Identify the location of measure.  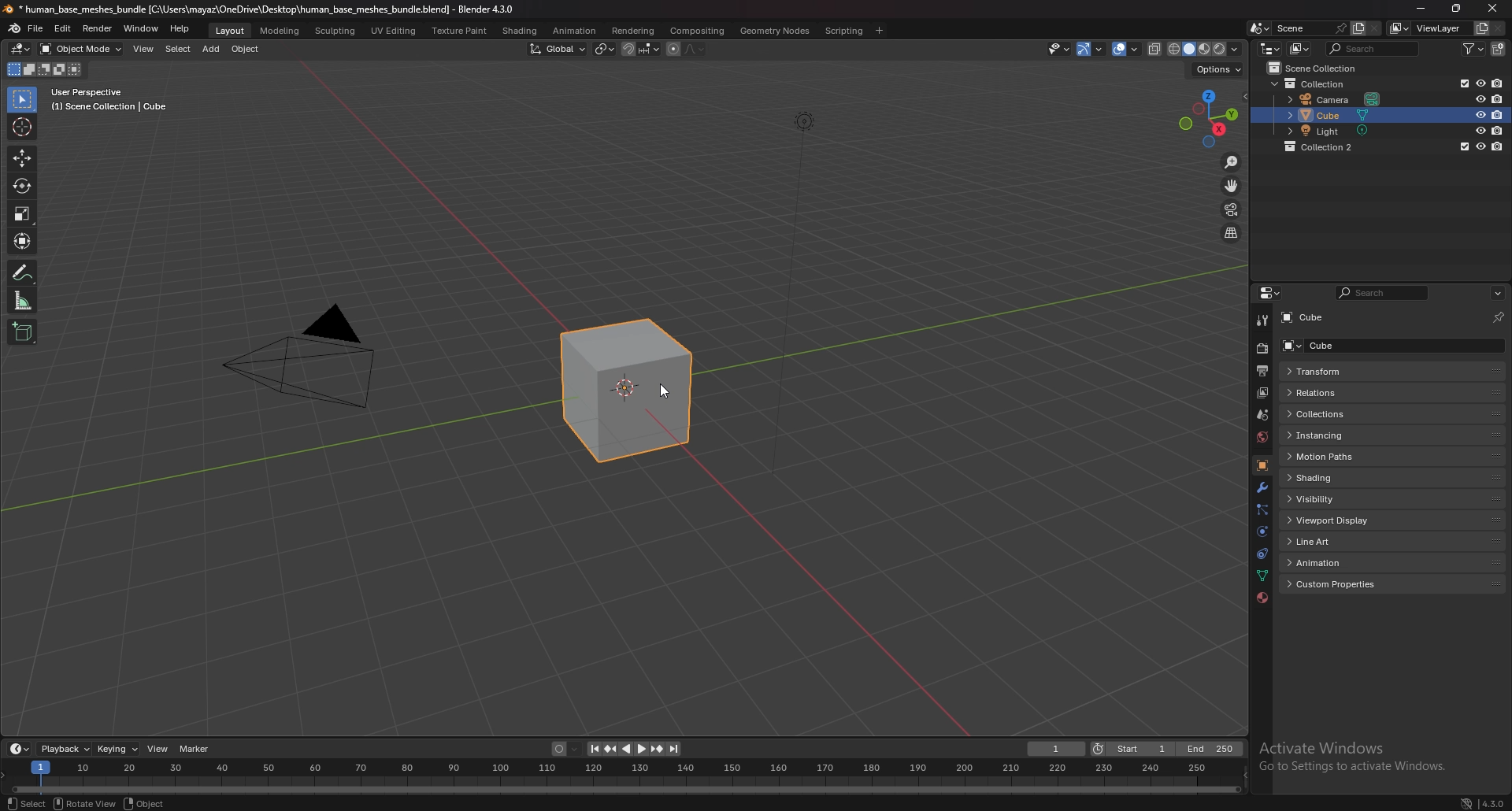
(22, 301).